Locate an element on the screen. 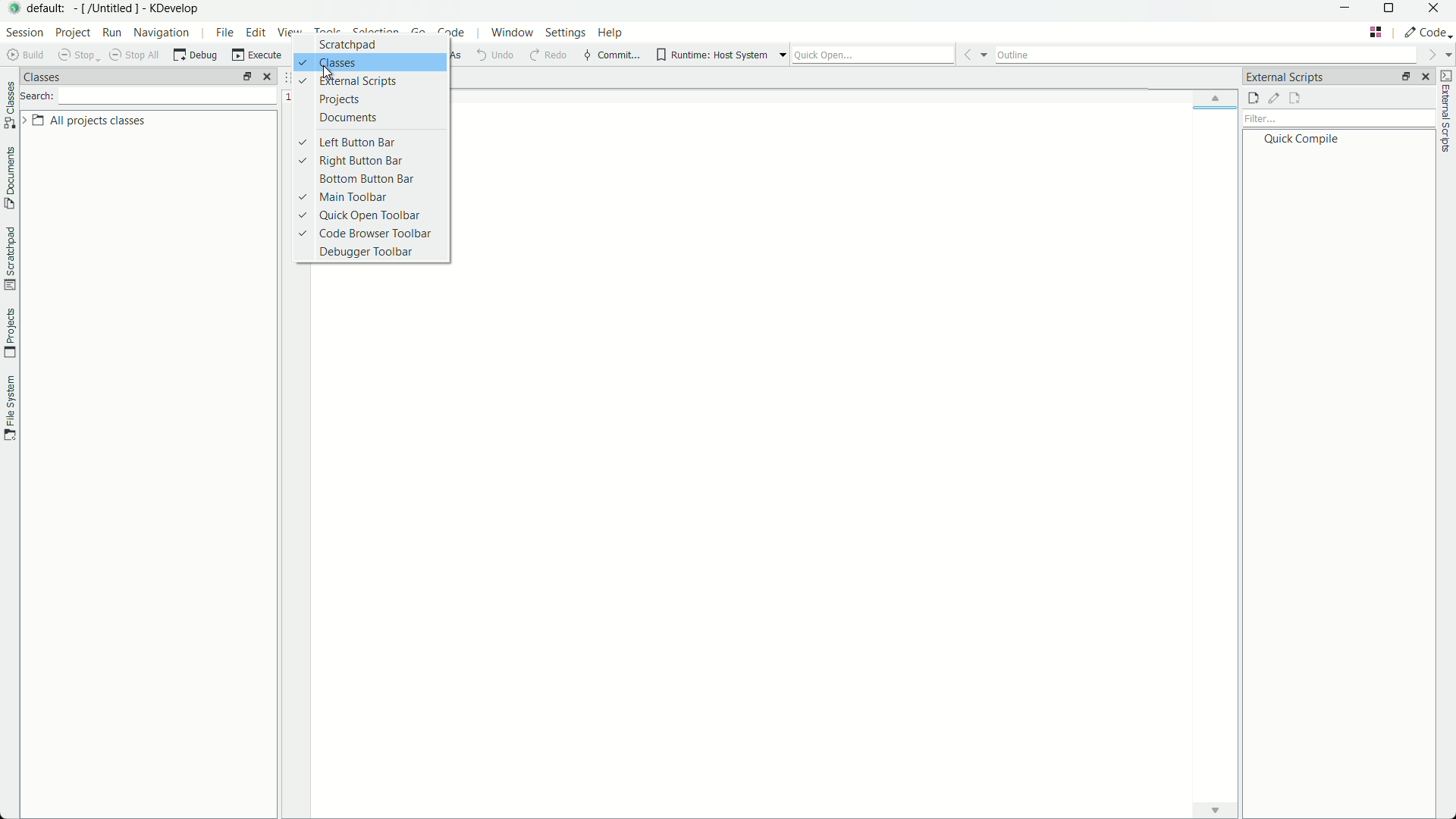 This screenshot has height=819, width=1456. project menu is located at coordinates (71, 33).